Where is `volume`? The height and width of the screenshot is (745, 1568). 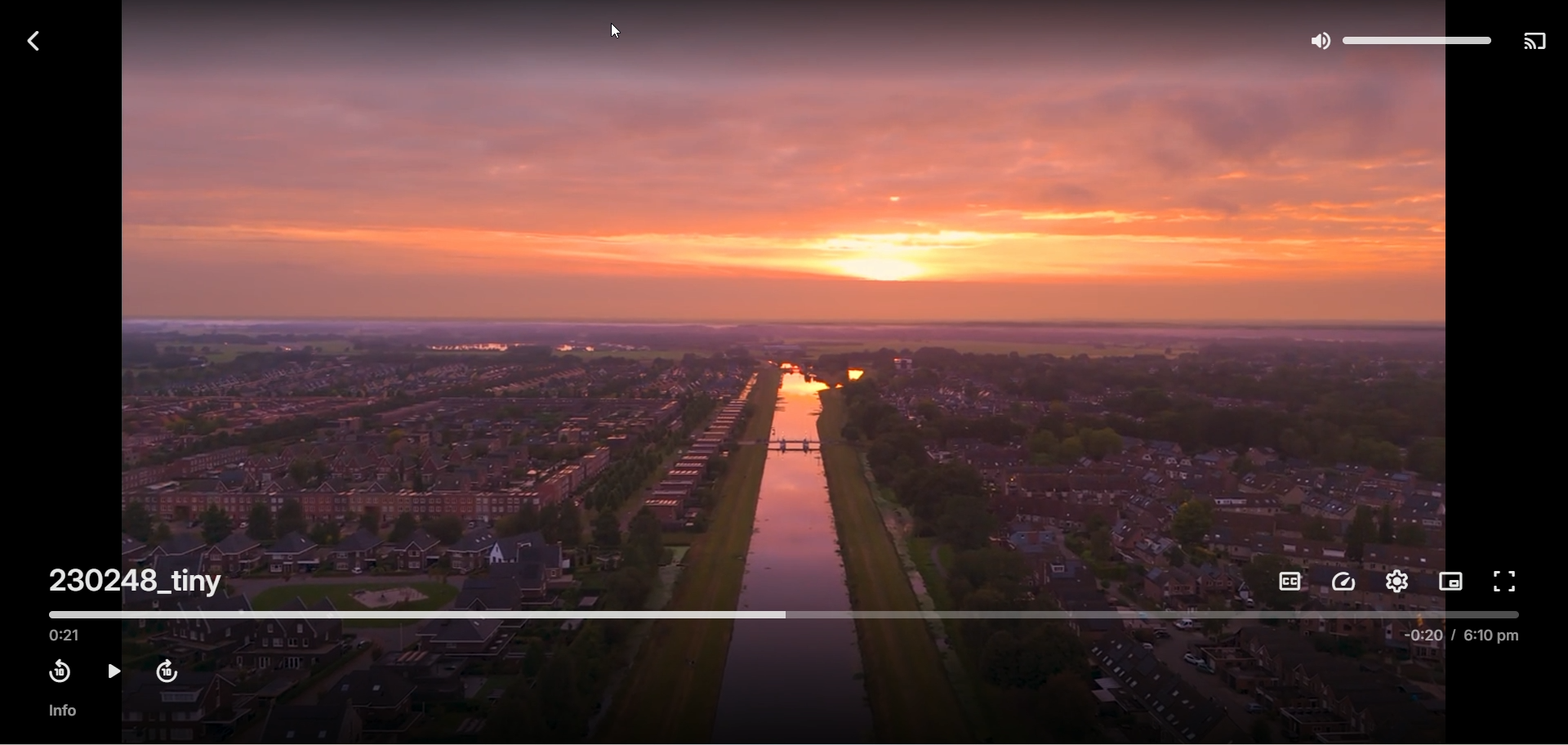
volume is located at coordinates (1397, 36).